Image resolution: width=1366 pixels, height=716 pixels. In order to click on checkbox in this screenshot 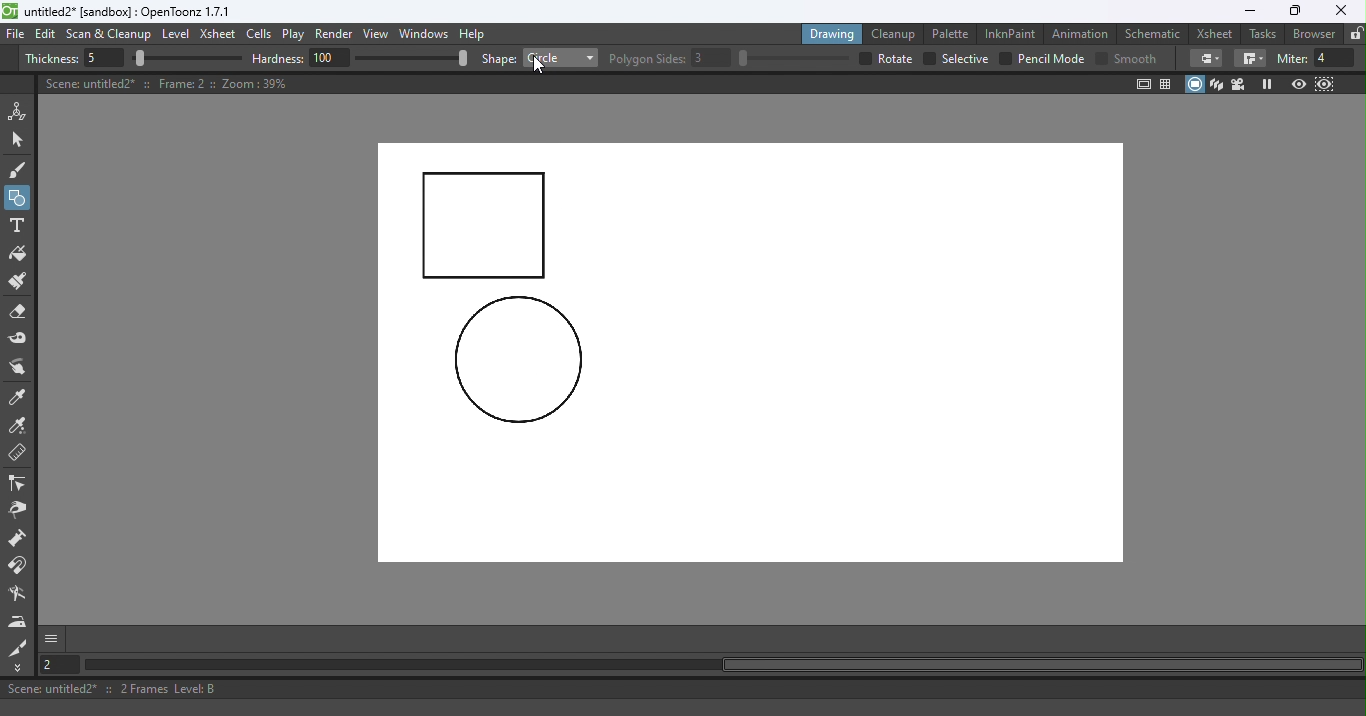, I will do `click(928, 59)`.